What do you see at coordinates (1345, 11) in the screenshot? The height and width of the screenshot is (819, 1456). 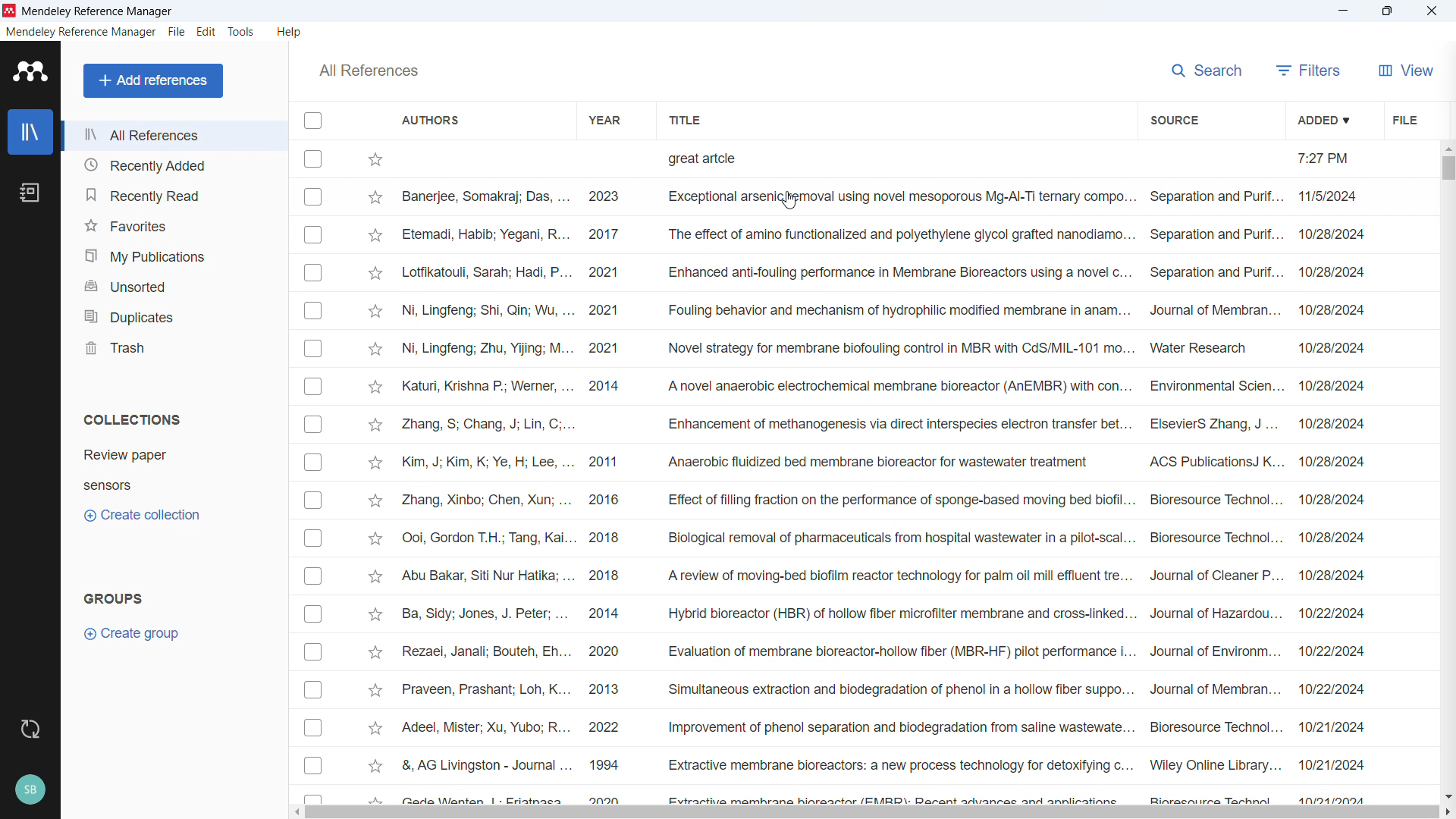 I see `minimise ` at bounding box center [1345, 11].